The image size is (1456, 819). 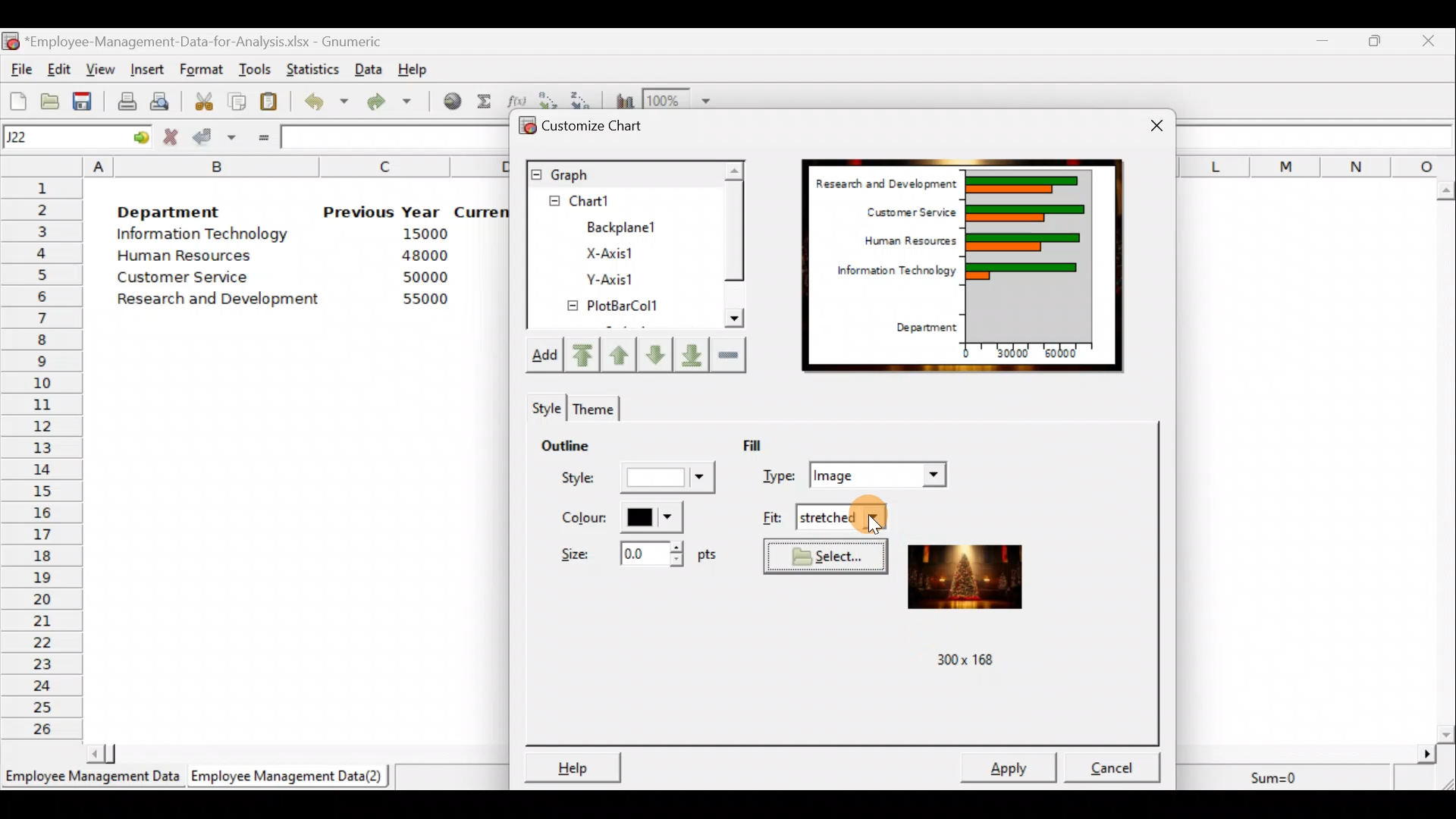 I want to click on Close, so click(x=1147, y=121).